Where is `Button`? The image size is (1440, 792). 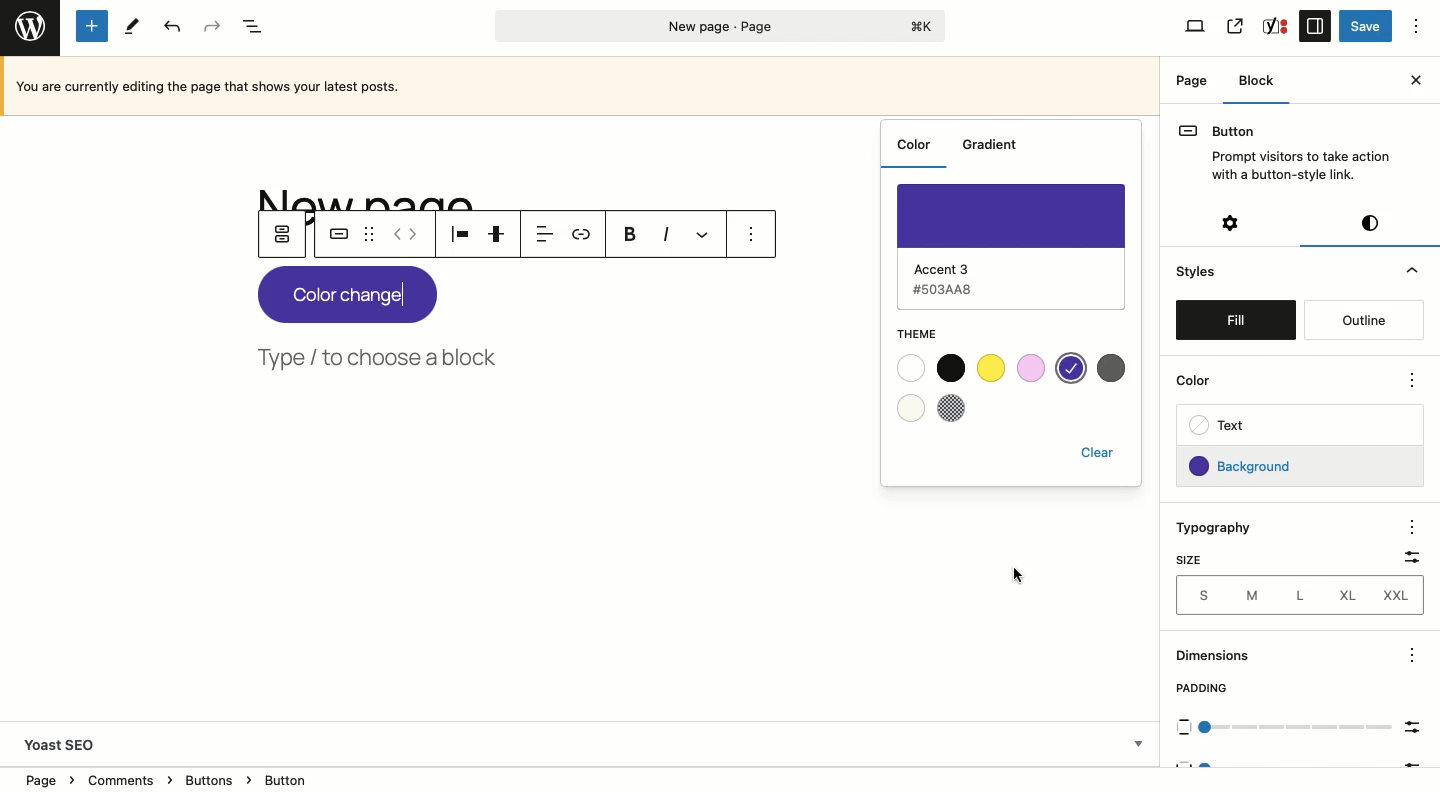 Button is located at coordinates (336, 234).